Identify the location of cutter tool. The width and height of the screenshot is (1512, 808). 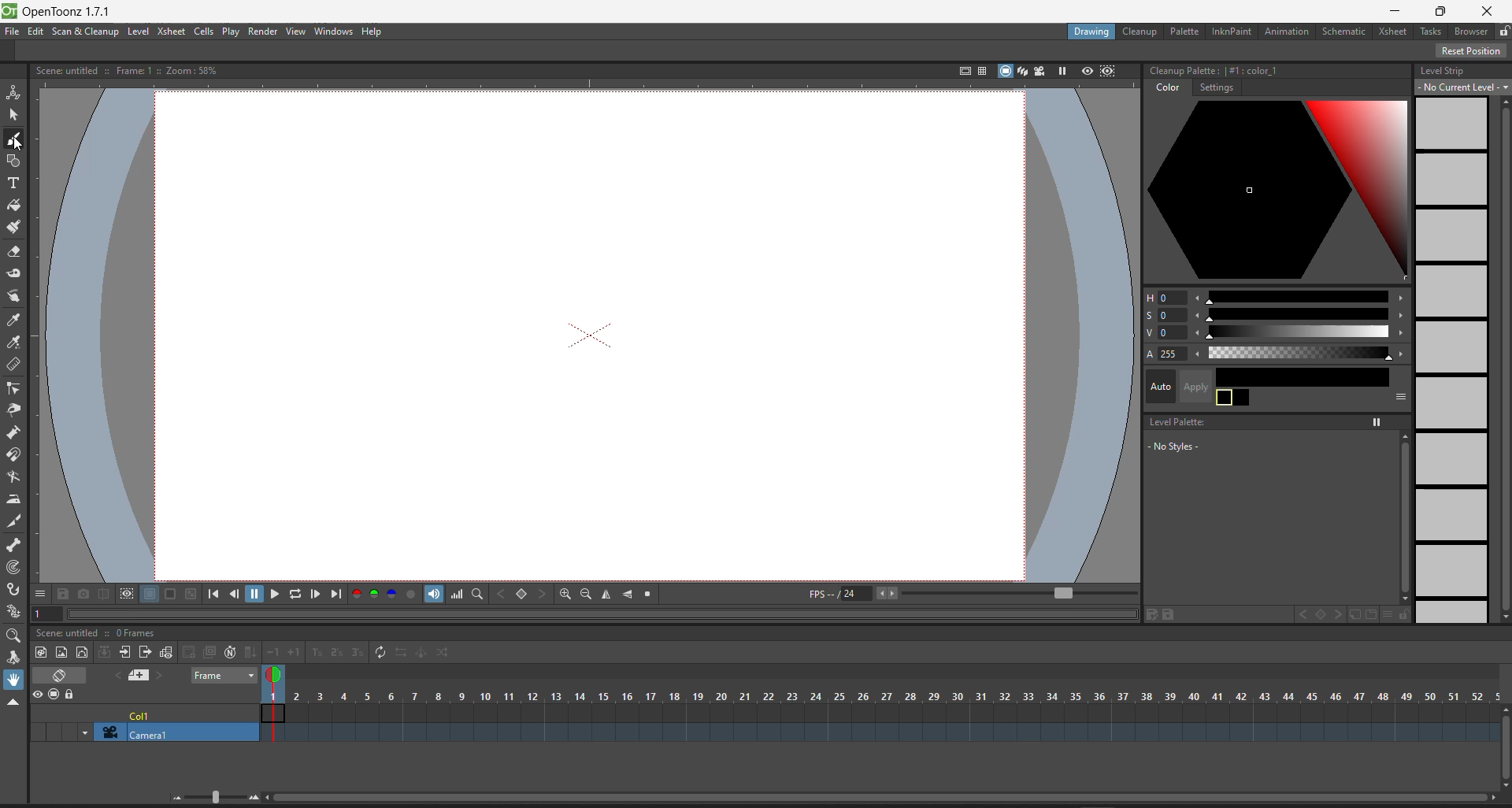
(15, 524).